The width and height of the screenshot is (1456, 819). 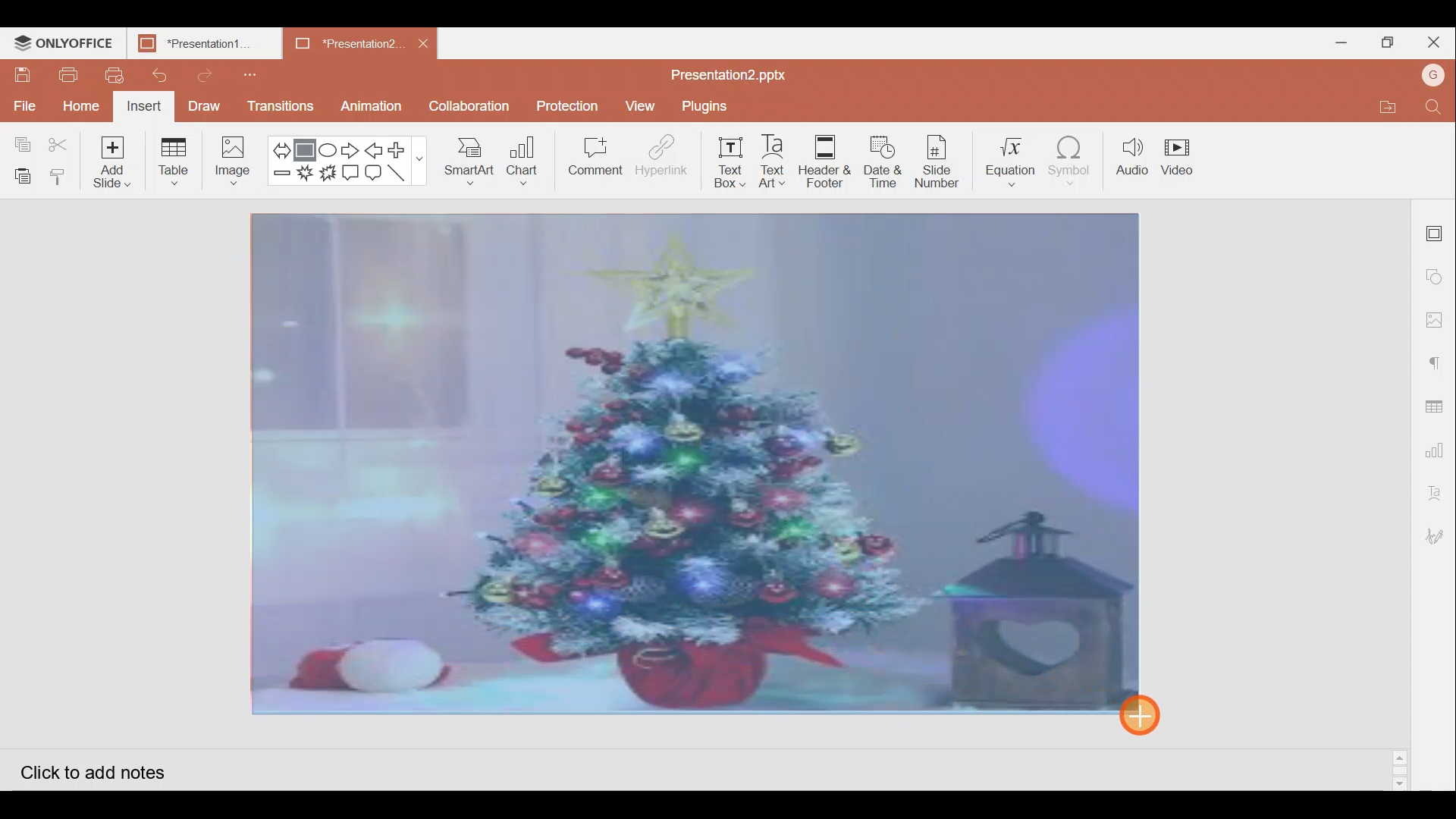 What do you see at coordinates (374, 149) in the screenshot?
I see `Left arrow` at bounding box center [374, 149].